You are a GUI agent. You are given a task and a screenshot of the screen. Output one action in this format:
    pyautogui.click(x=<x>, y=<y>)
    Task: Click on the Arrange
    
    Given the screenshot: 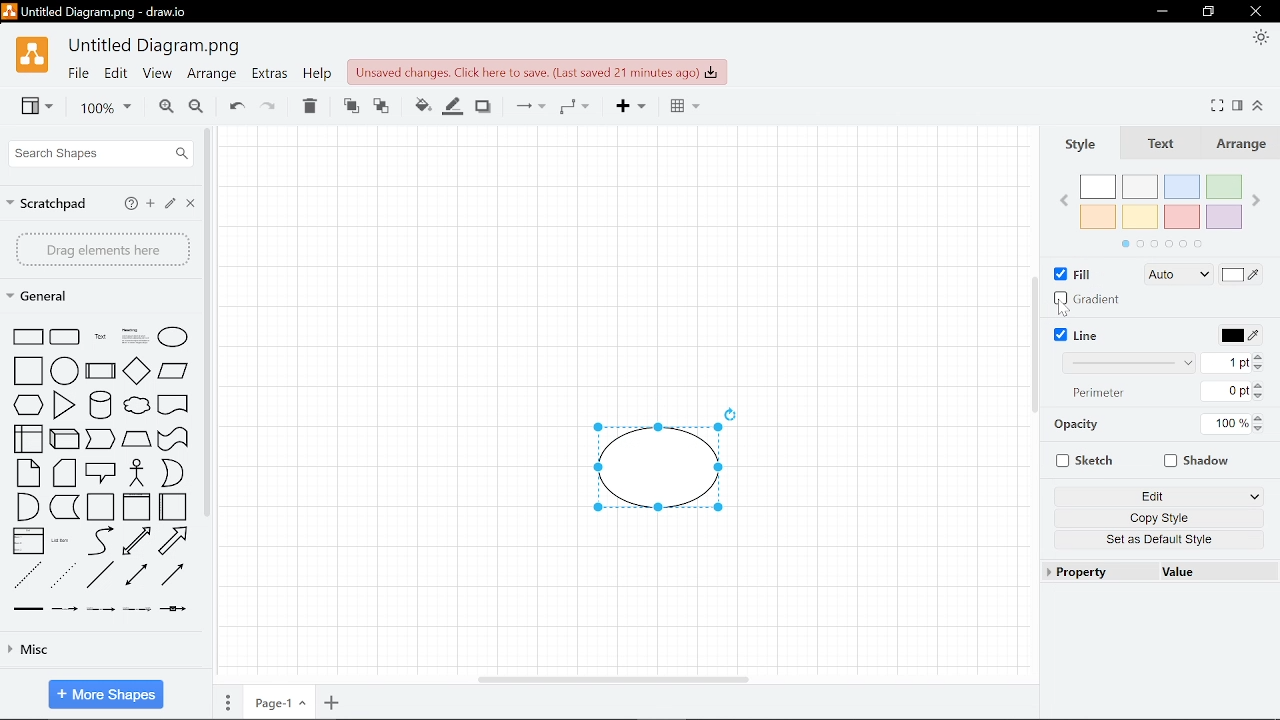 What is the action you would take?
    pyautogui.click(x=1239, y=145)
    